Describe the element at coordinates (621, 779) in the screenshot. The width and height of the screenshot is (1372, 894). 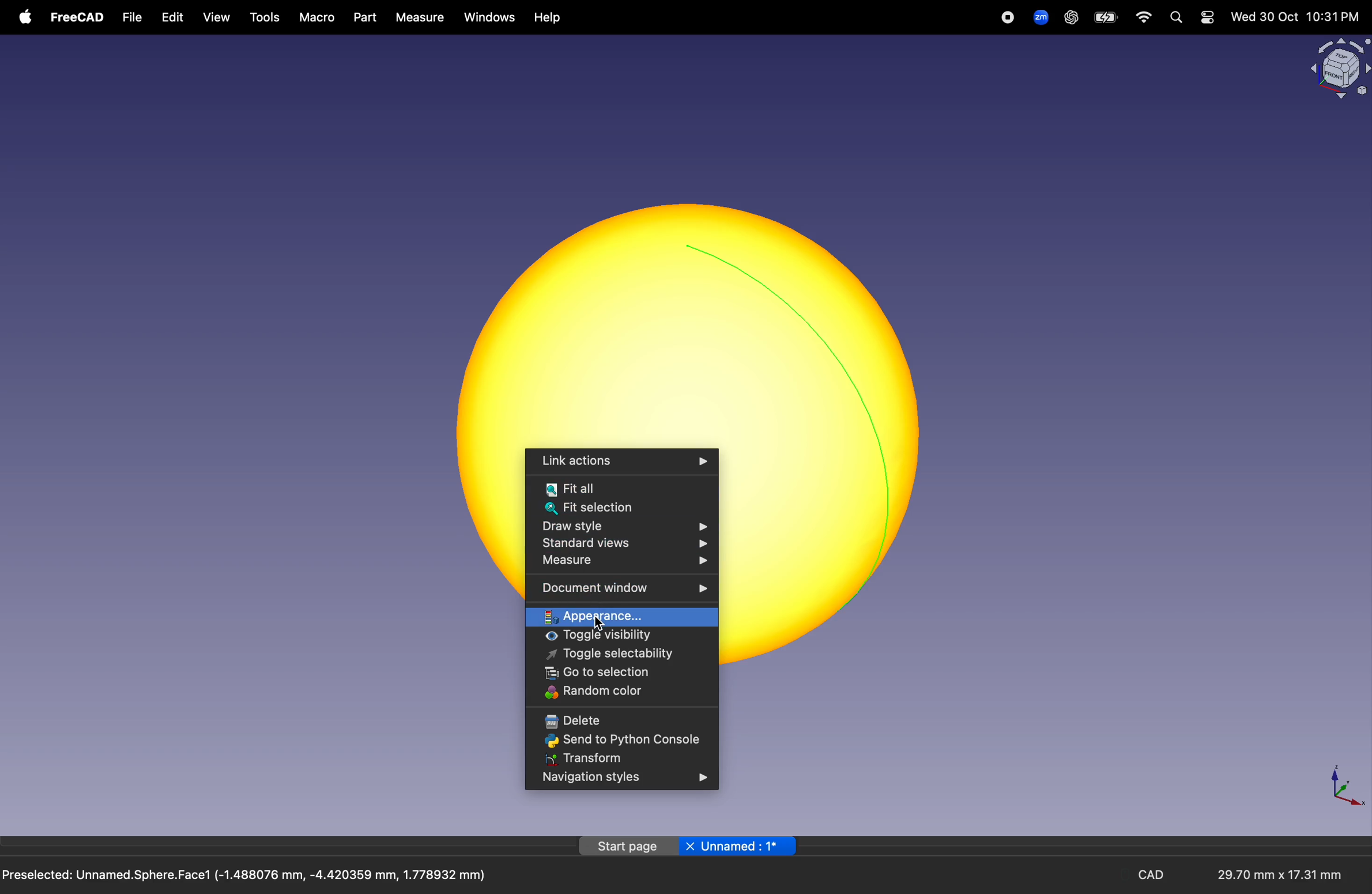
I see `navigation styles` at that location.